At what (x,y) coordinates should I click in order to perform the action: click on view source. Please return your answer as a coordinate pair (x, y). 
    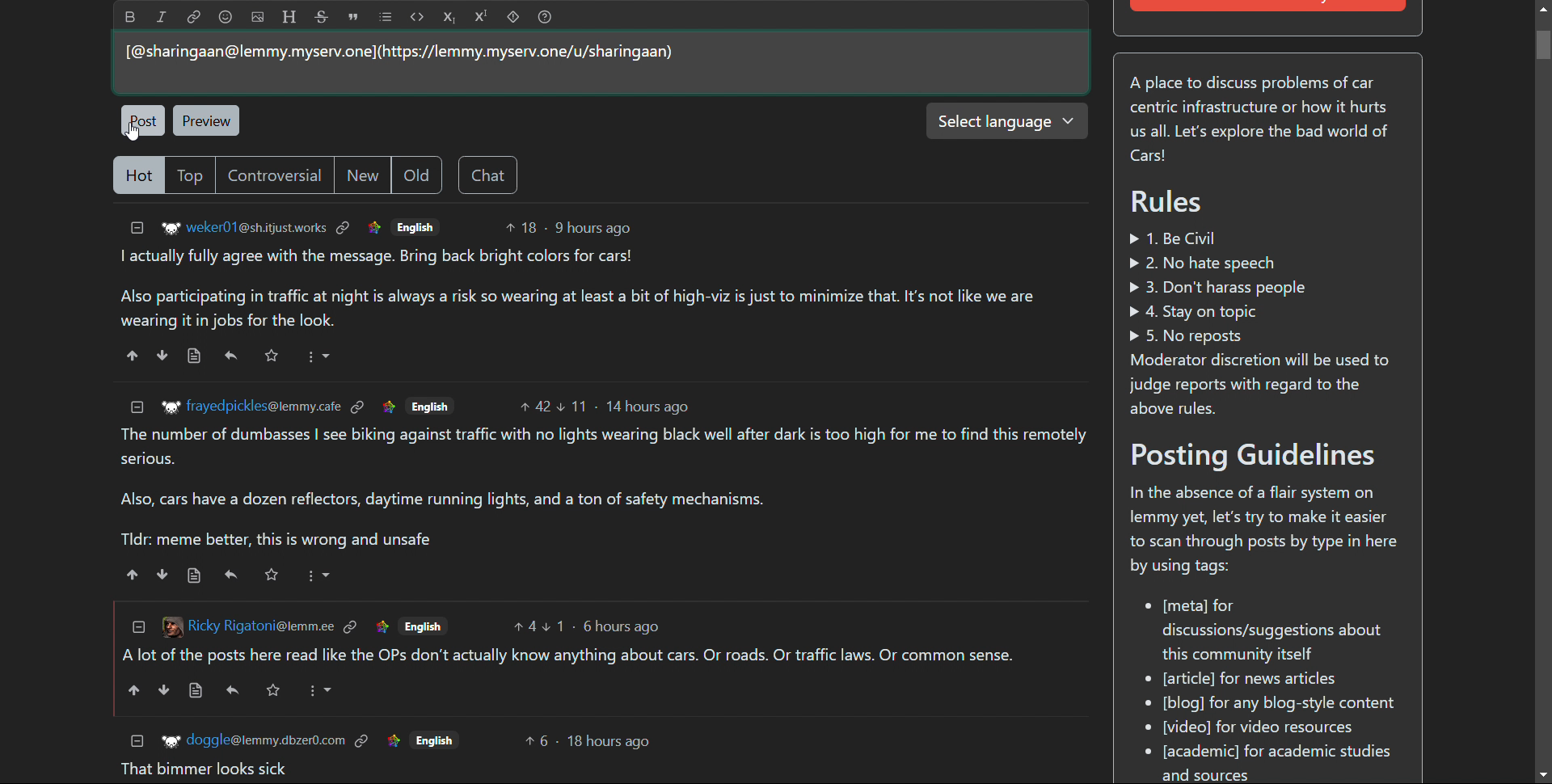
    Looking at the image, I should click on (195, 575).